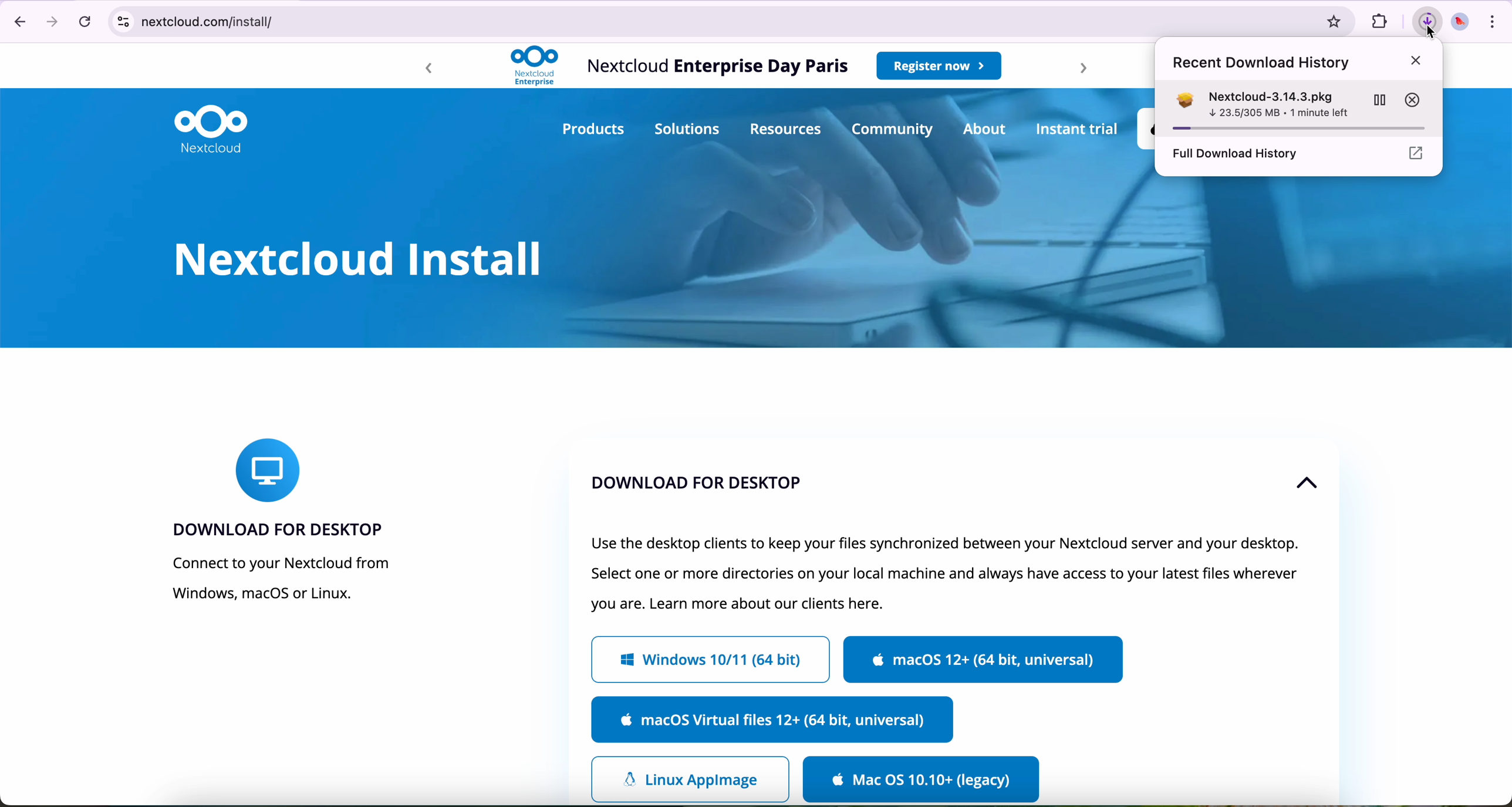  Describe the element at coordinates (1427, 19) in the screenshot. I see `cursor` at that location.